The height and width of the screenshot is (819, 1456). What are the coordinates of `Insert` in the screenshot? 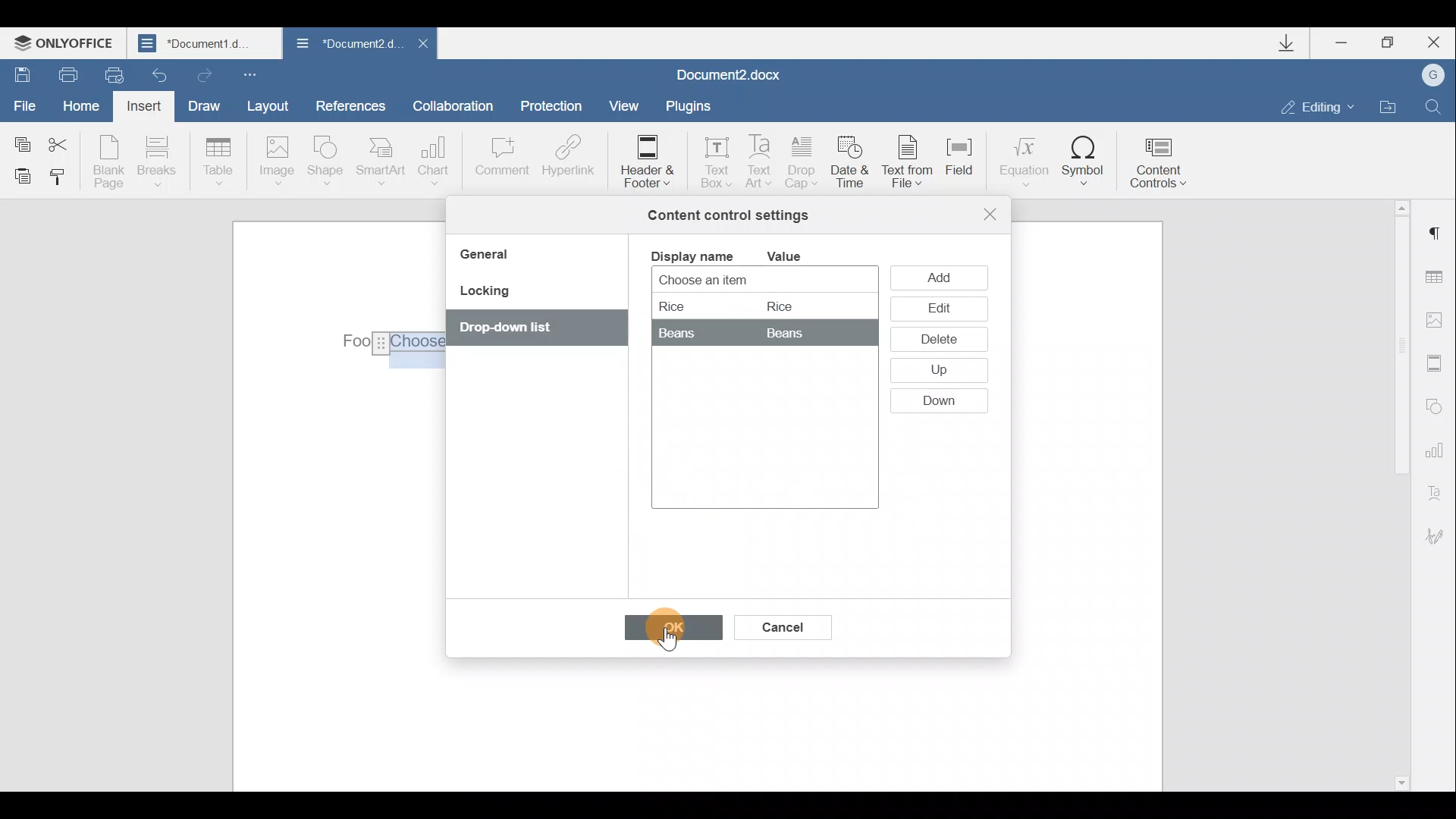 It's located at (146, 109).